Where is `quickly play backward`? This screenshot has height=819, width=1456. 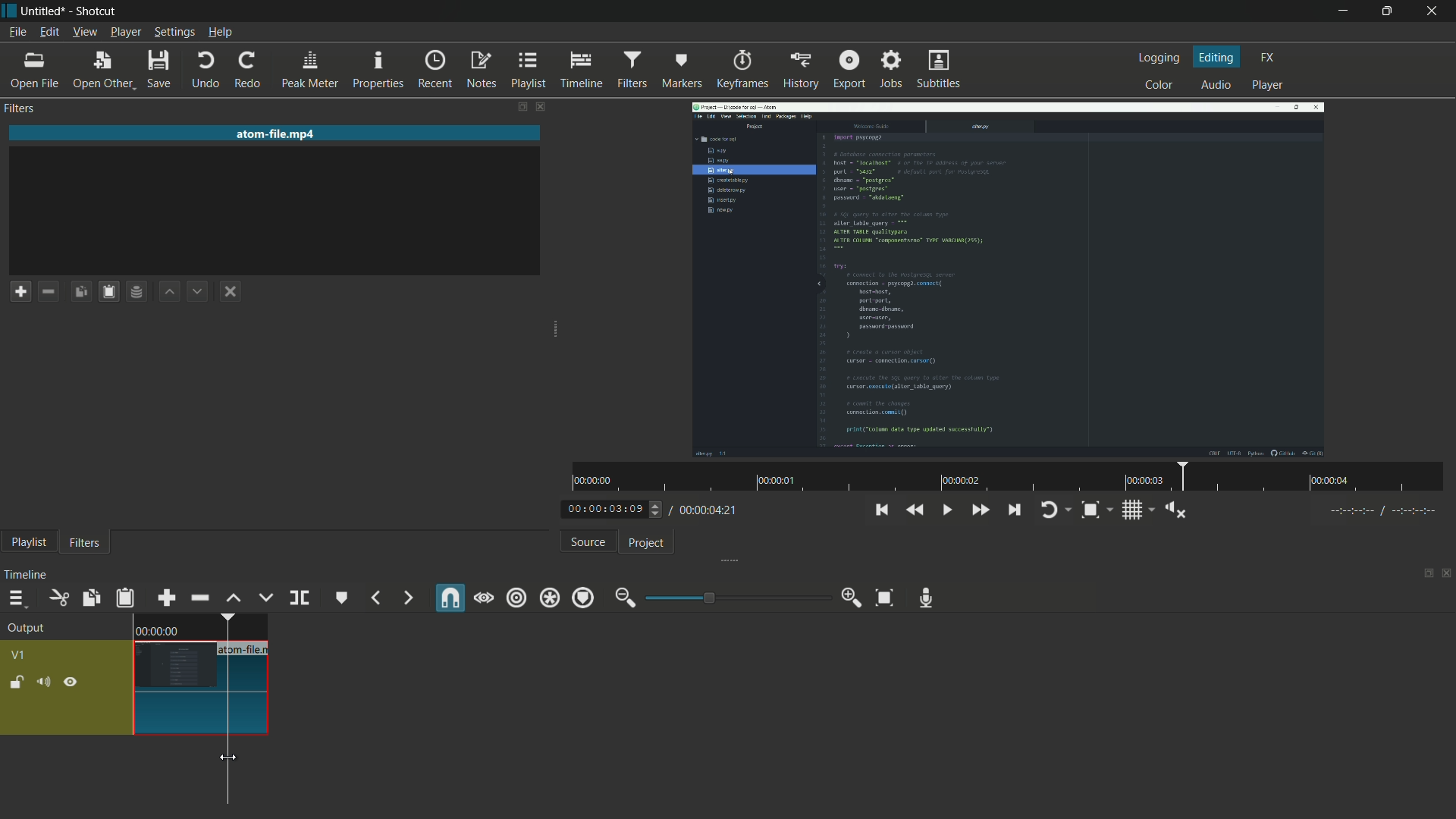
quickly play backward is located at coordinates (916, 511).